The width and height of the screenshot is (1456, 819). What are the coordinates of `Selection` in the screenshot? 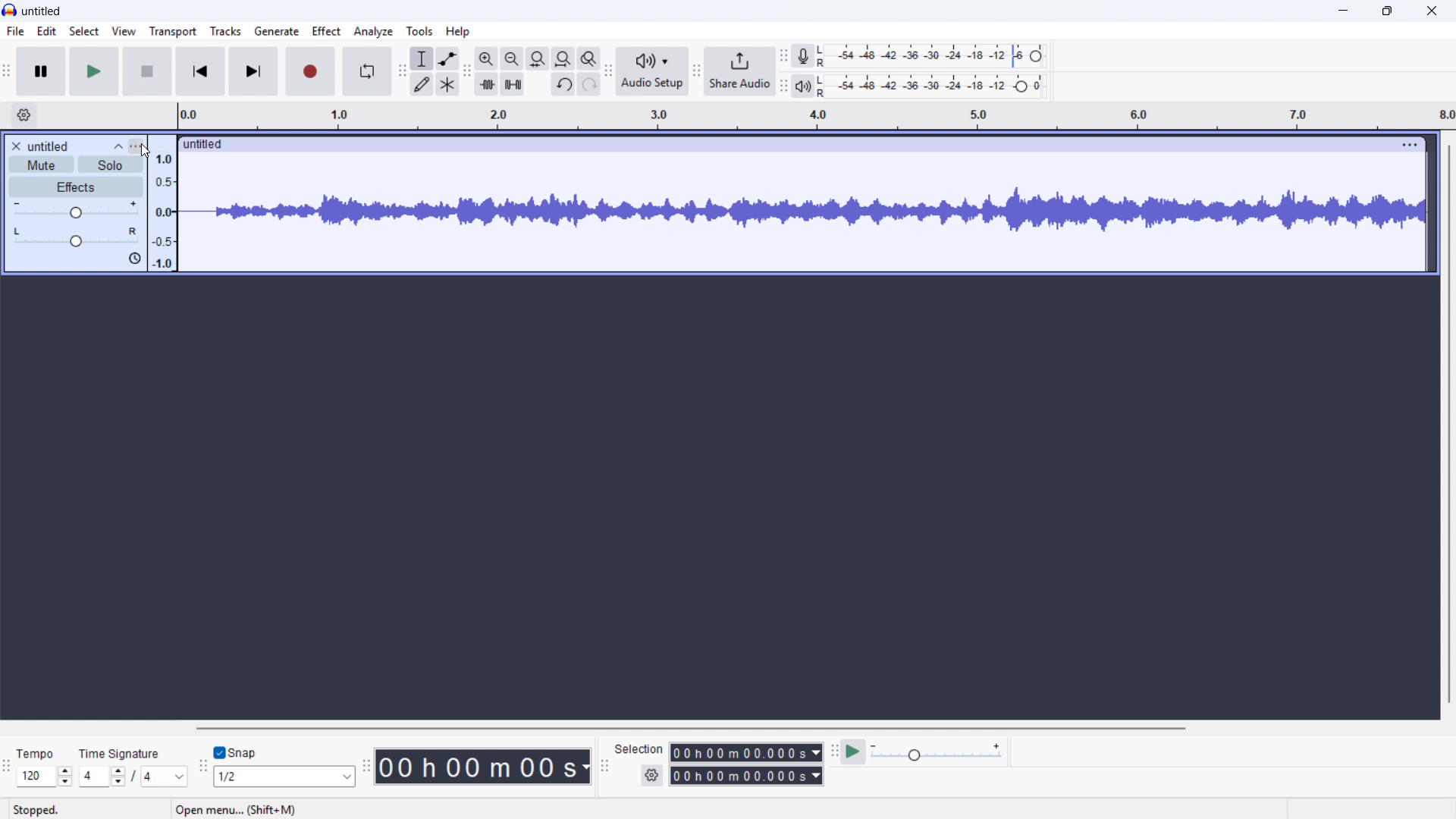 It's located at (640, 749).